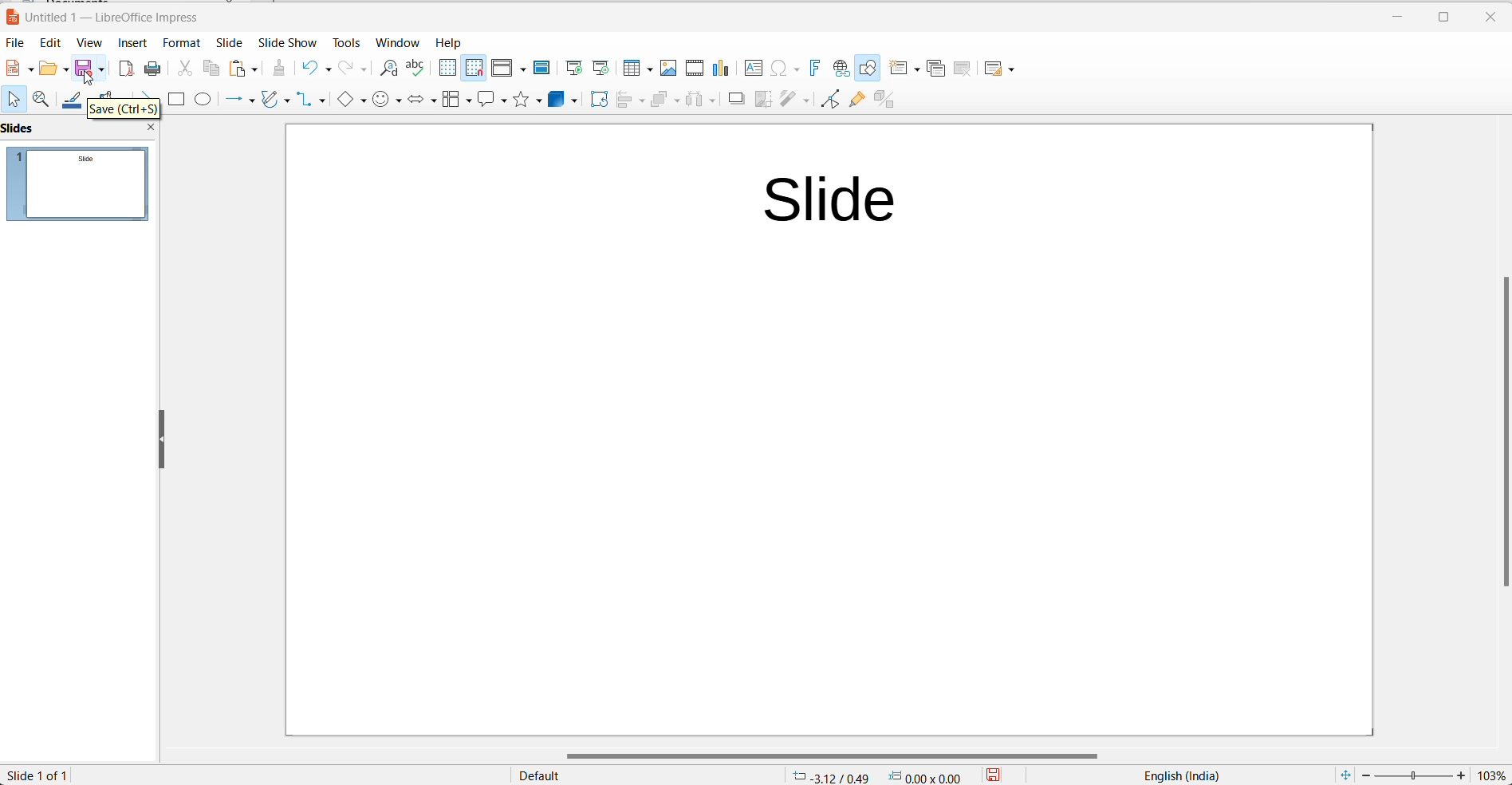  What do you see at coordinates (312, 69) in the screenshot?
I see `Undo` at bounding box center [312, 69].